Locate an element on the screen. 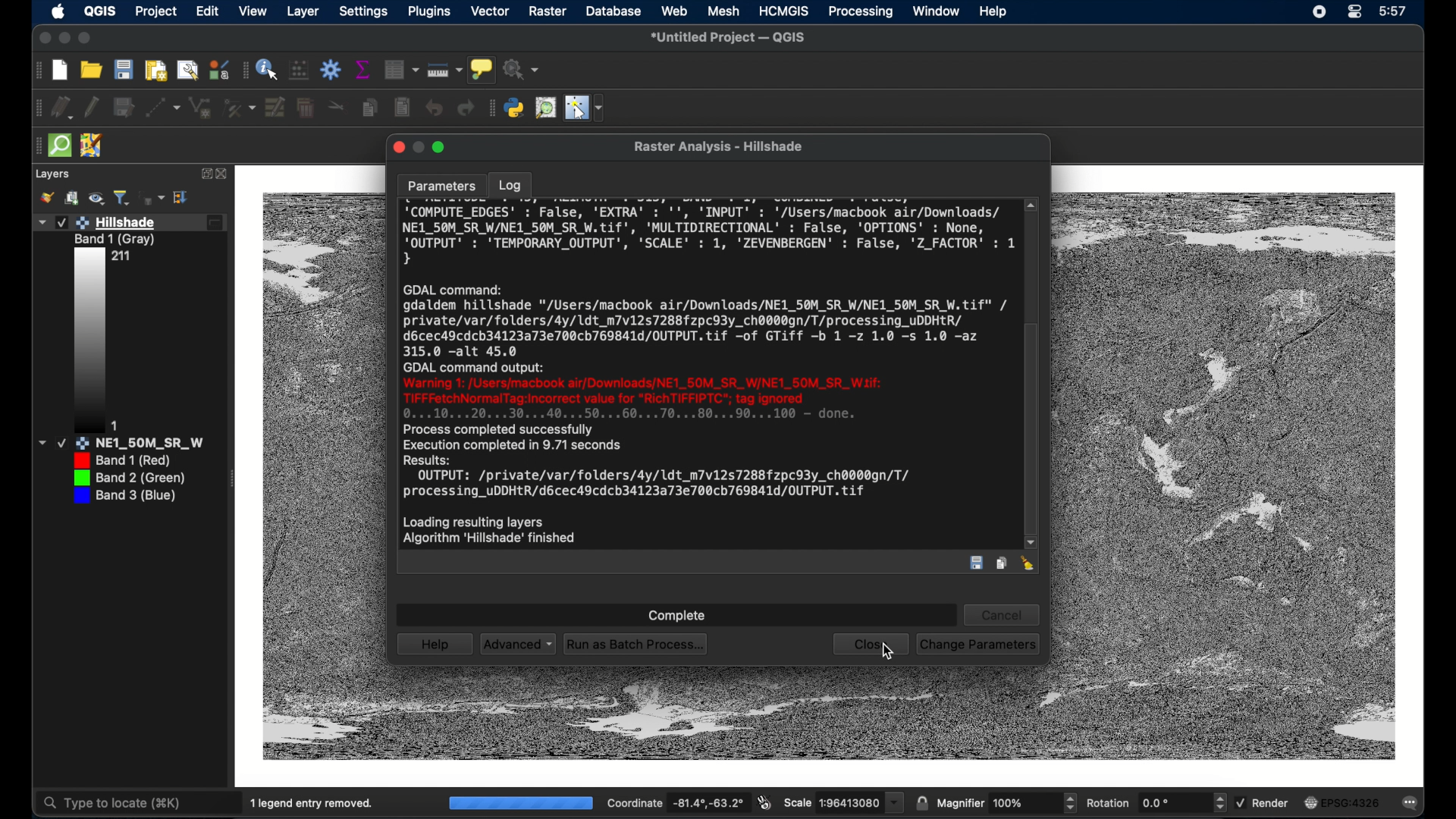 This screenshot has width=1456, height=819. HCMGIS is located at coordinates (783, 11).